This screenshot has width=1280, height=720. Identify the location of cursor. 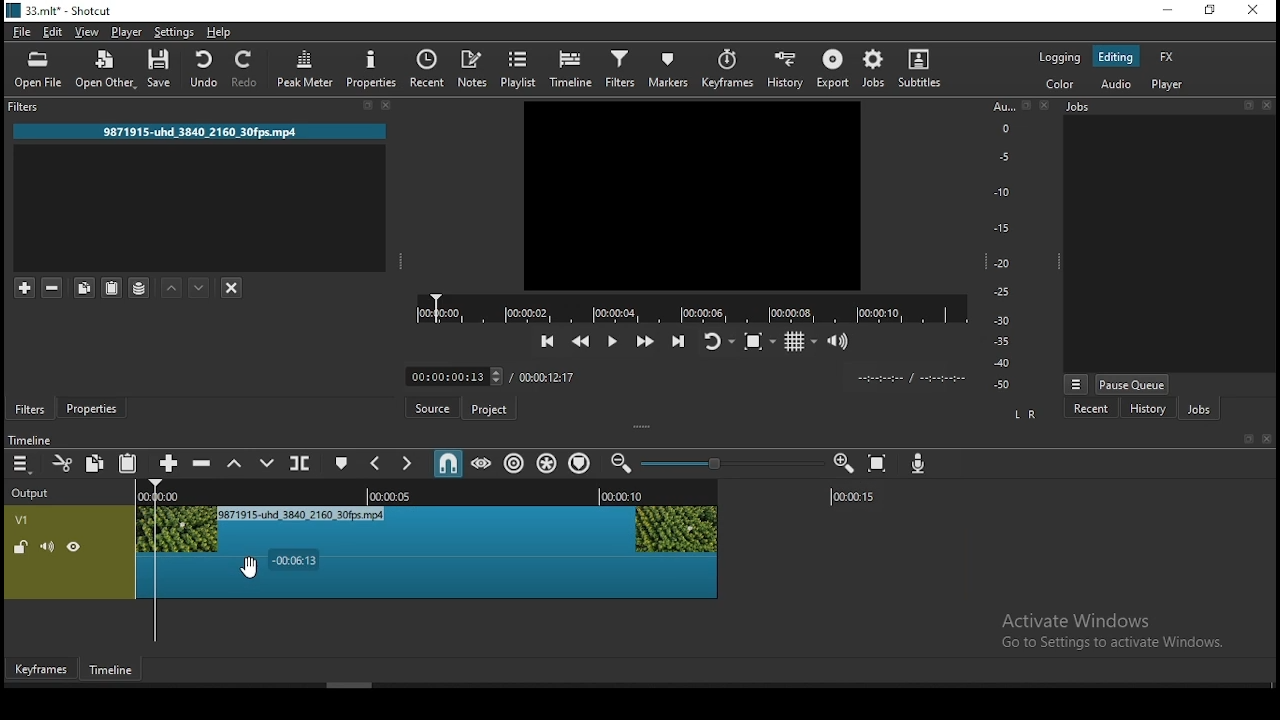
(250, 571).